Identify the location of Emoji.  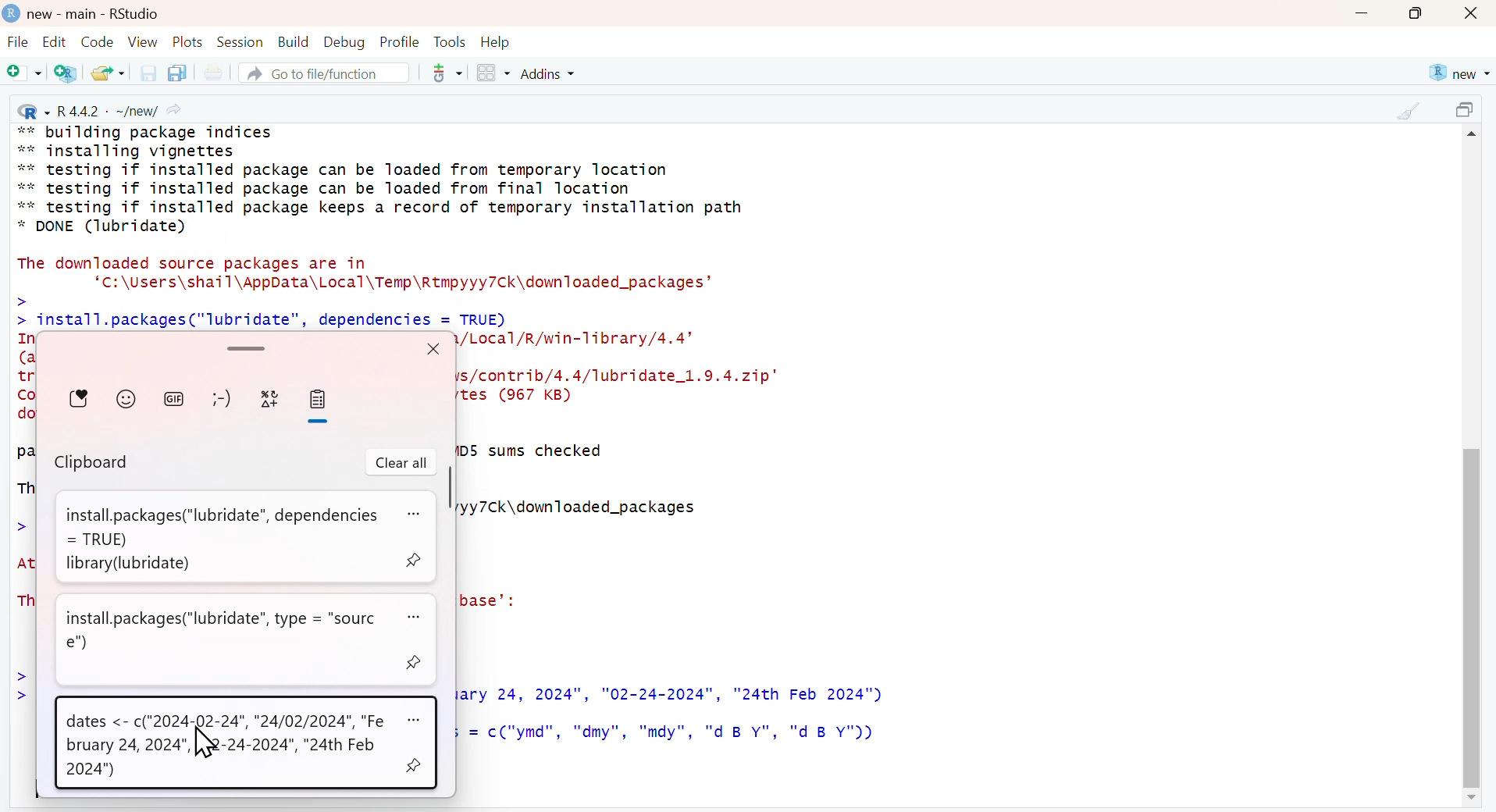
(126, 397).